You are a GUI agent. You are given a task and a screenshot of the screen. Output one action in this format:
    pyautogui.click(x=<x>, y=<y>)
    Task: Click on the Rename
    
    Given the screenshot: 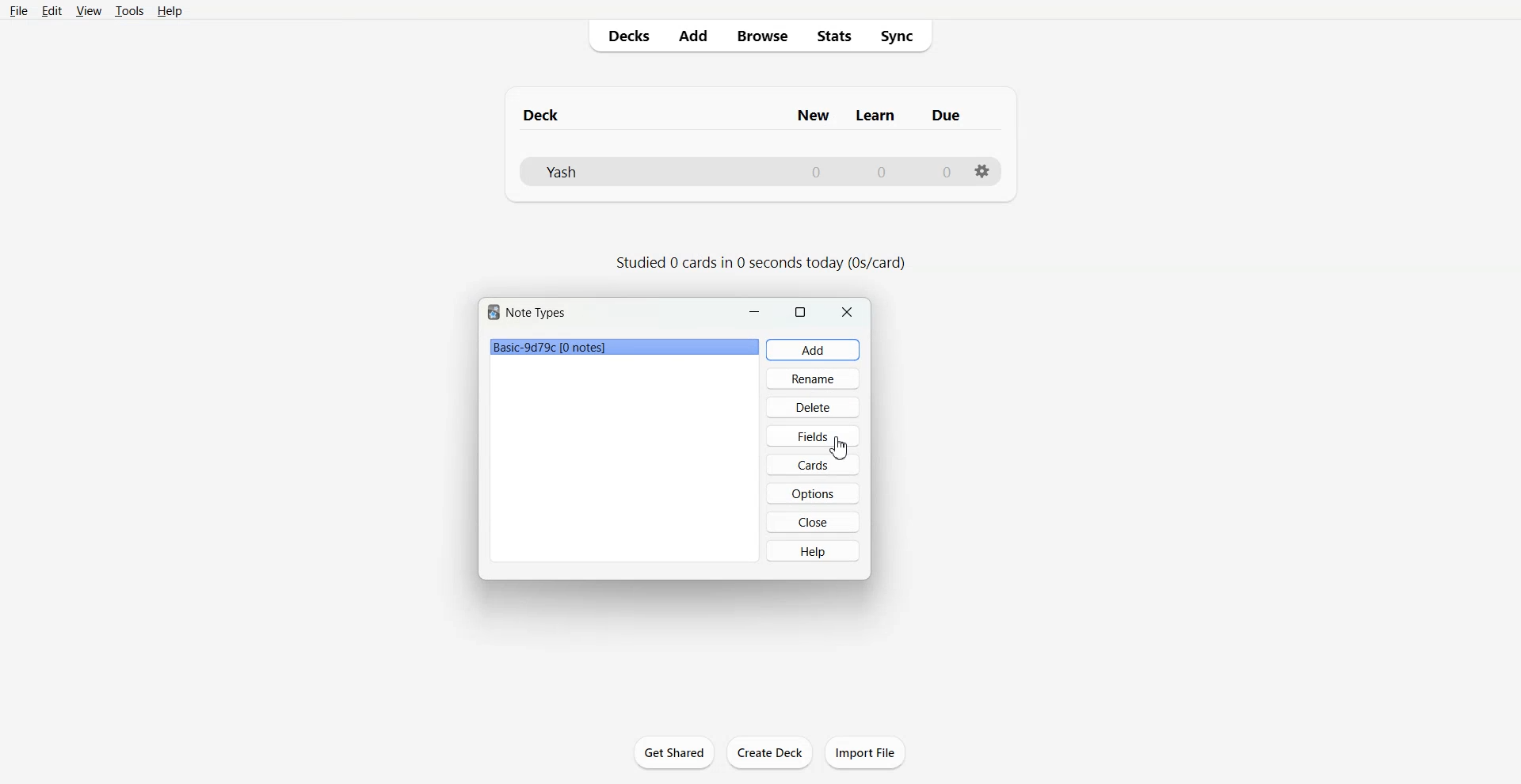 What is the action you would take?
    pyautogui.click(x=813, y=379)
    